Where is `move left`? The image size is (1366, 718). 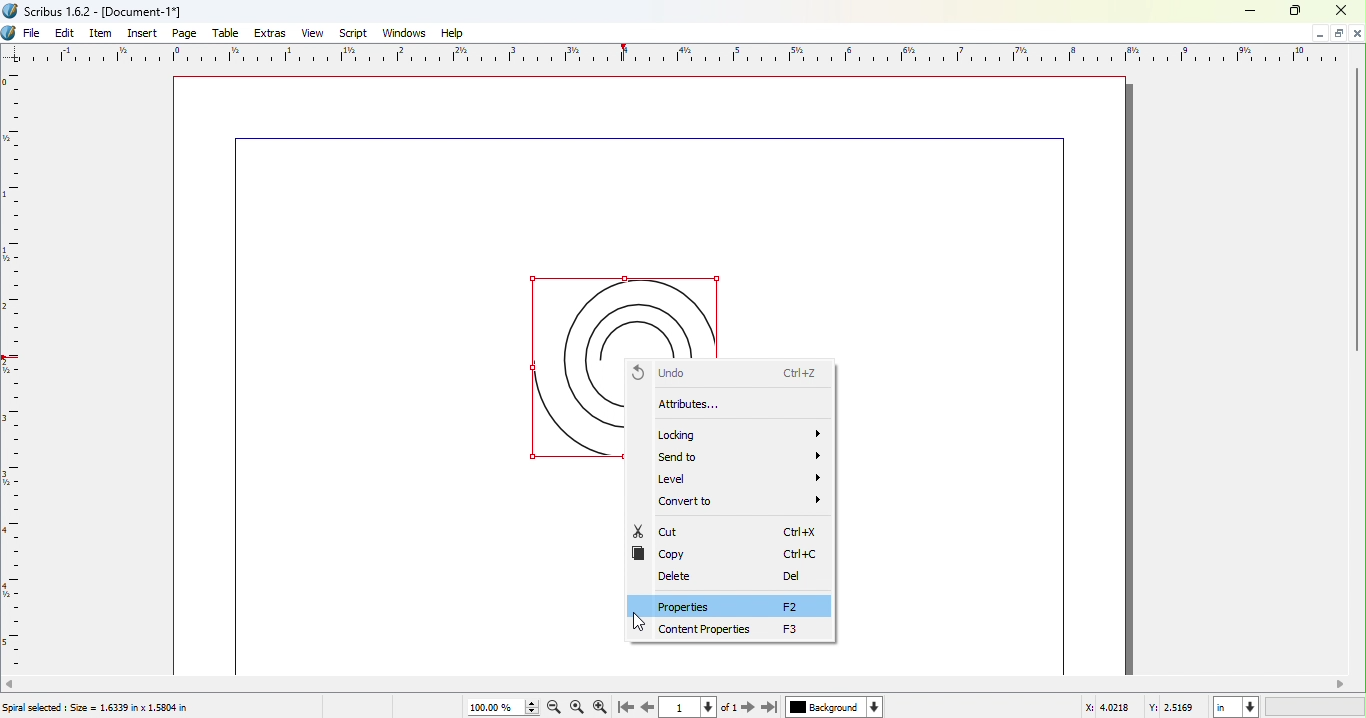
move left is located at coordinates (10, 684).